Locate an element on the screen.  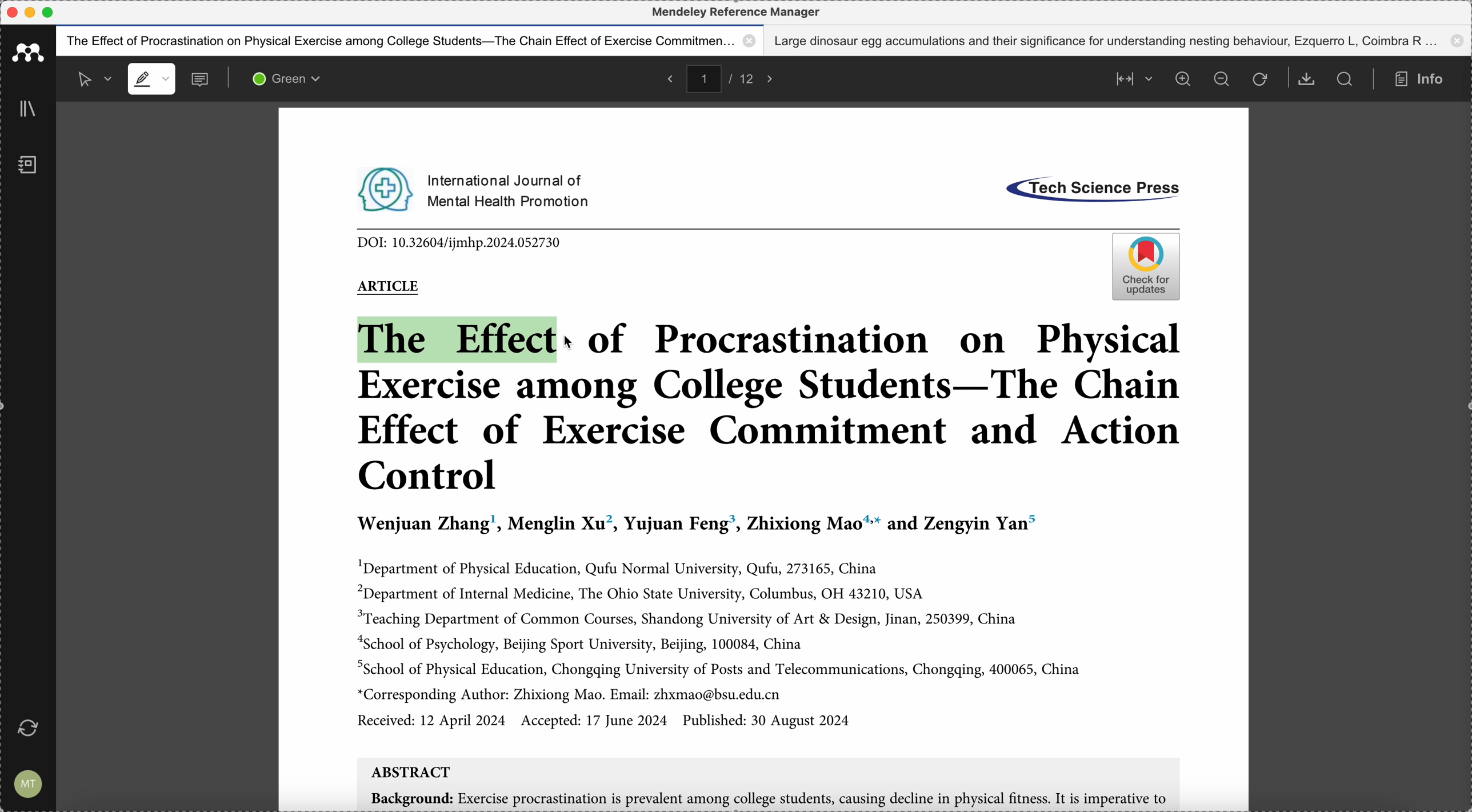
foward is located at coordinates (774, 78).